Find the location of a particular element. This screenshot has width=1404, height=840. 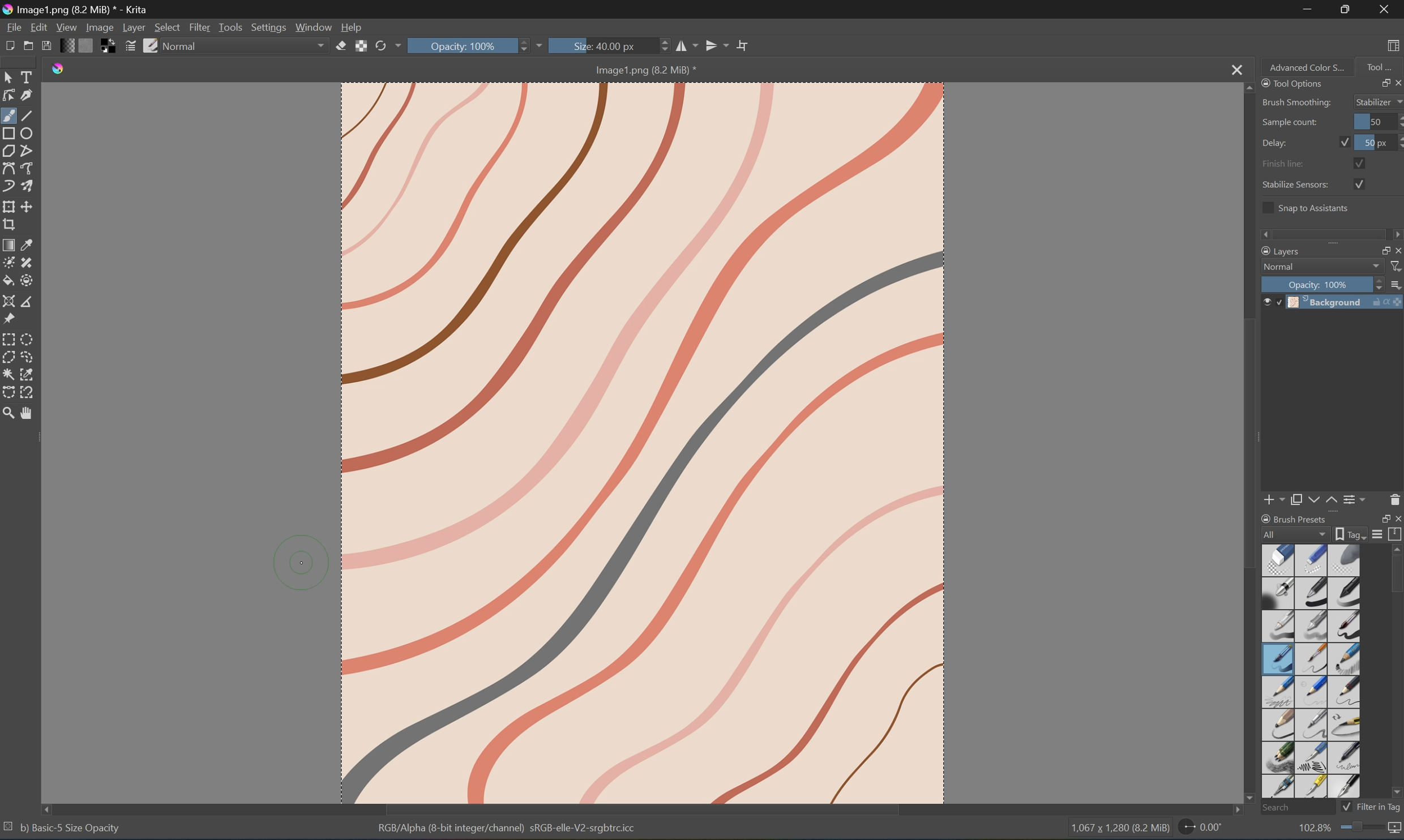

Sample count: is located at coordinates (1287, 123).